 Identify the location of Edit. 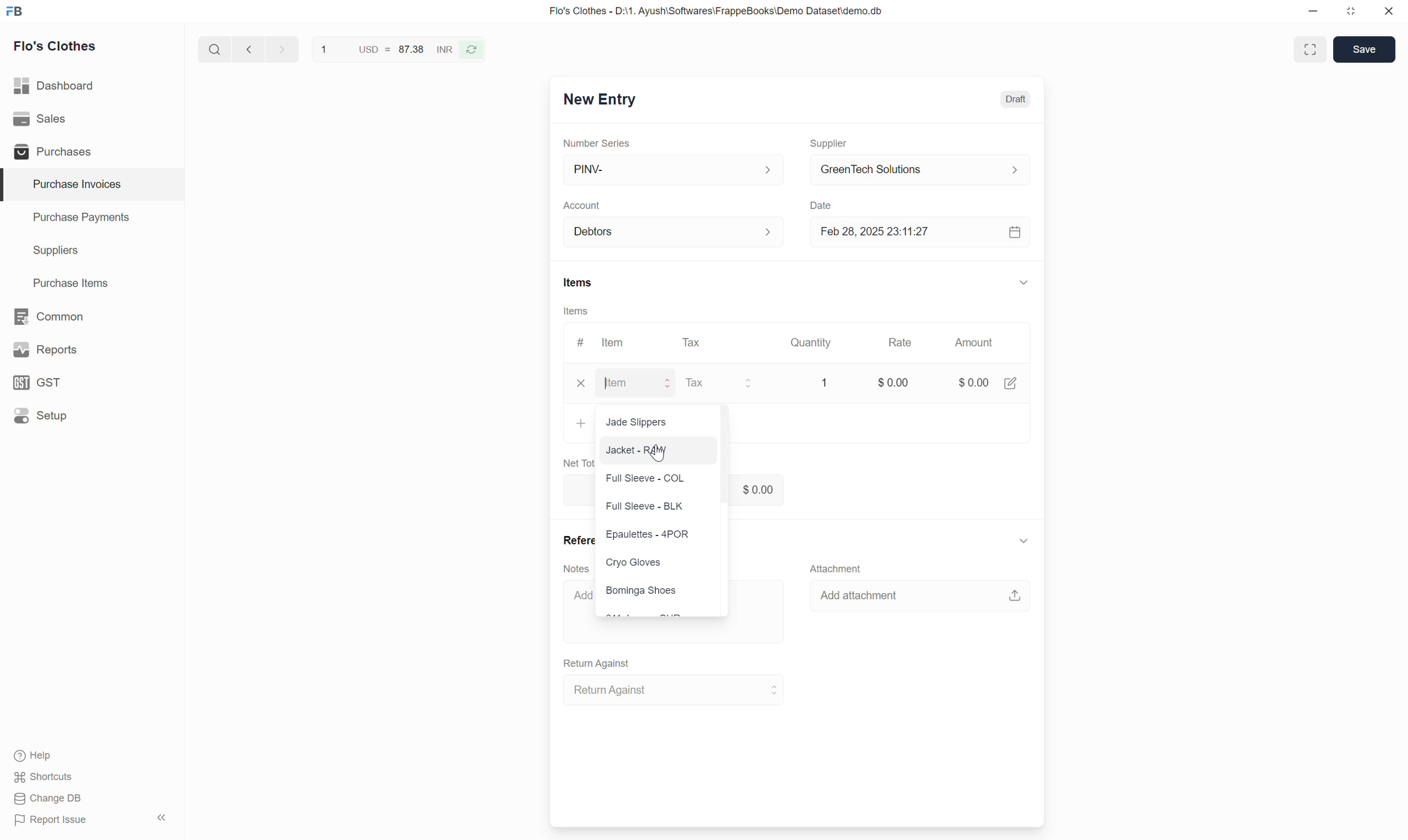
(1010, 383).